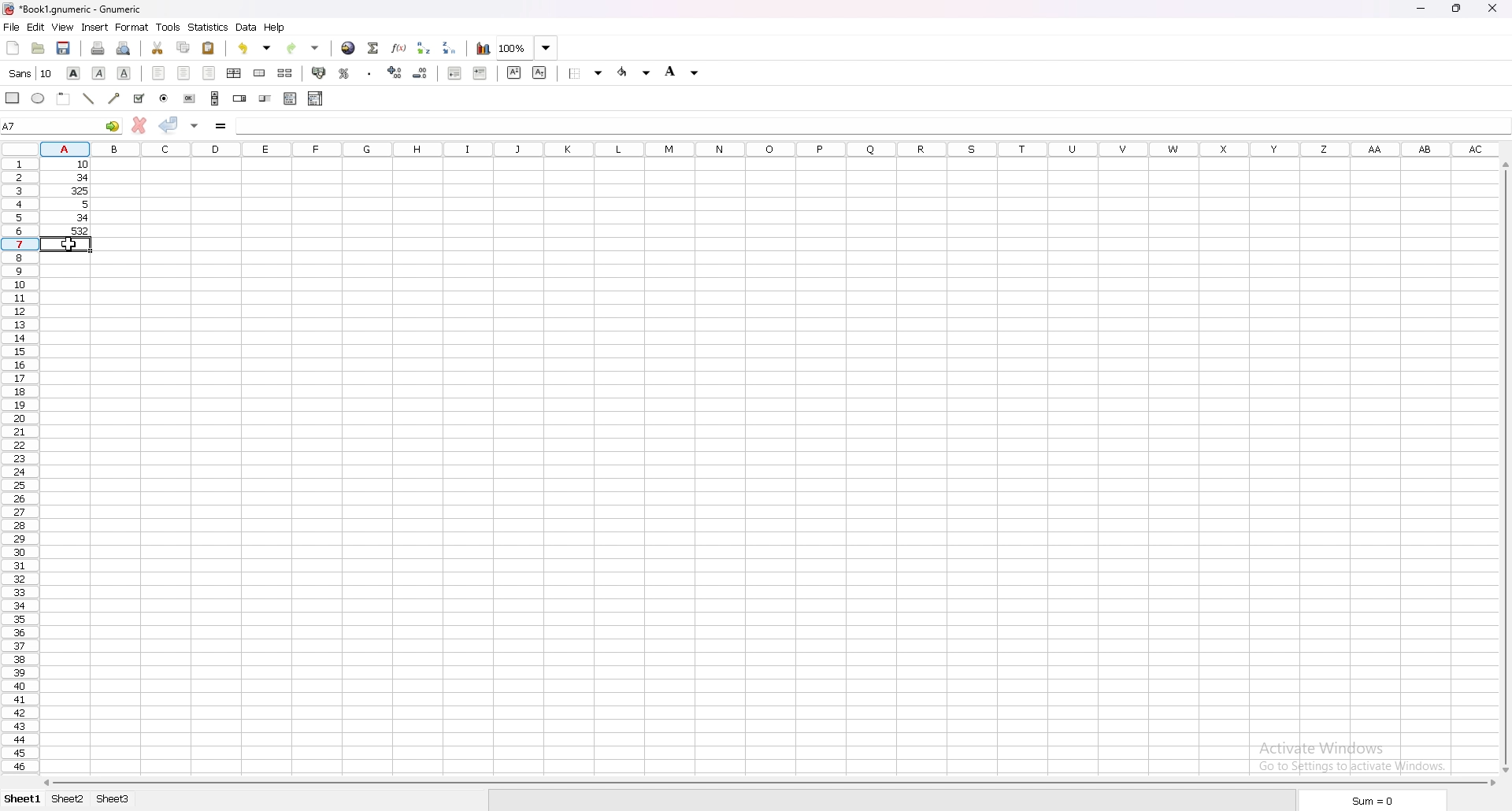 The width and height of the screenshot is (1512, 811). I want to click on data, so click(248, 27).